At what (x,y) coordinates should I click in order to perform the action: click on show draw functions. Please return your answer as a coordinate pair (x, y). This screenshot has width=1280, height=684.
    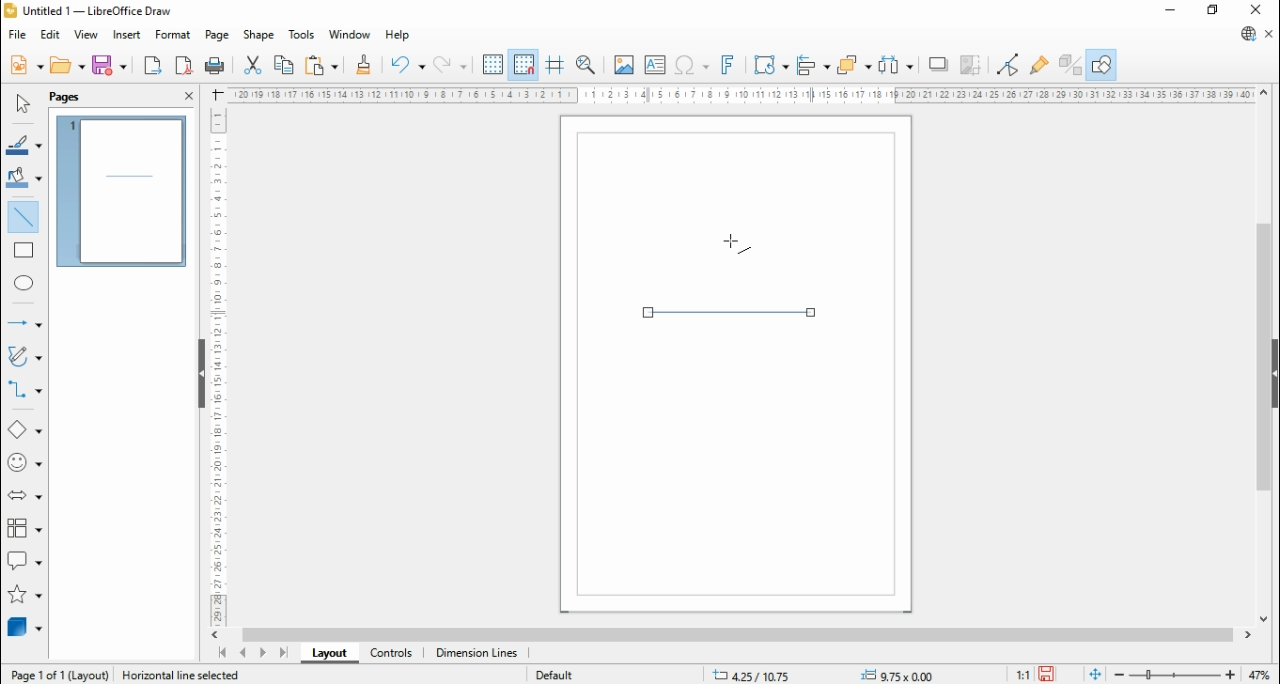
    Looking at the image, I should click on (1103, 64).